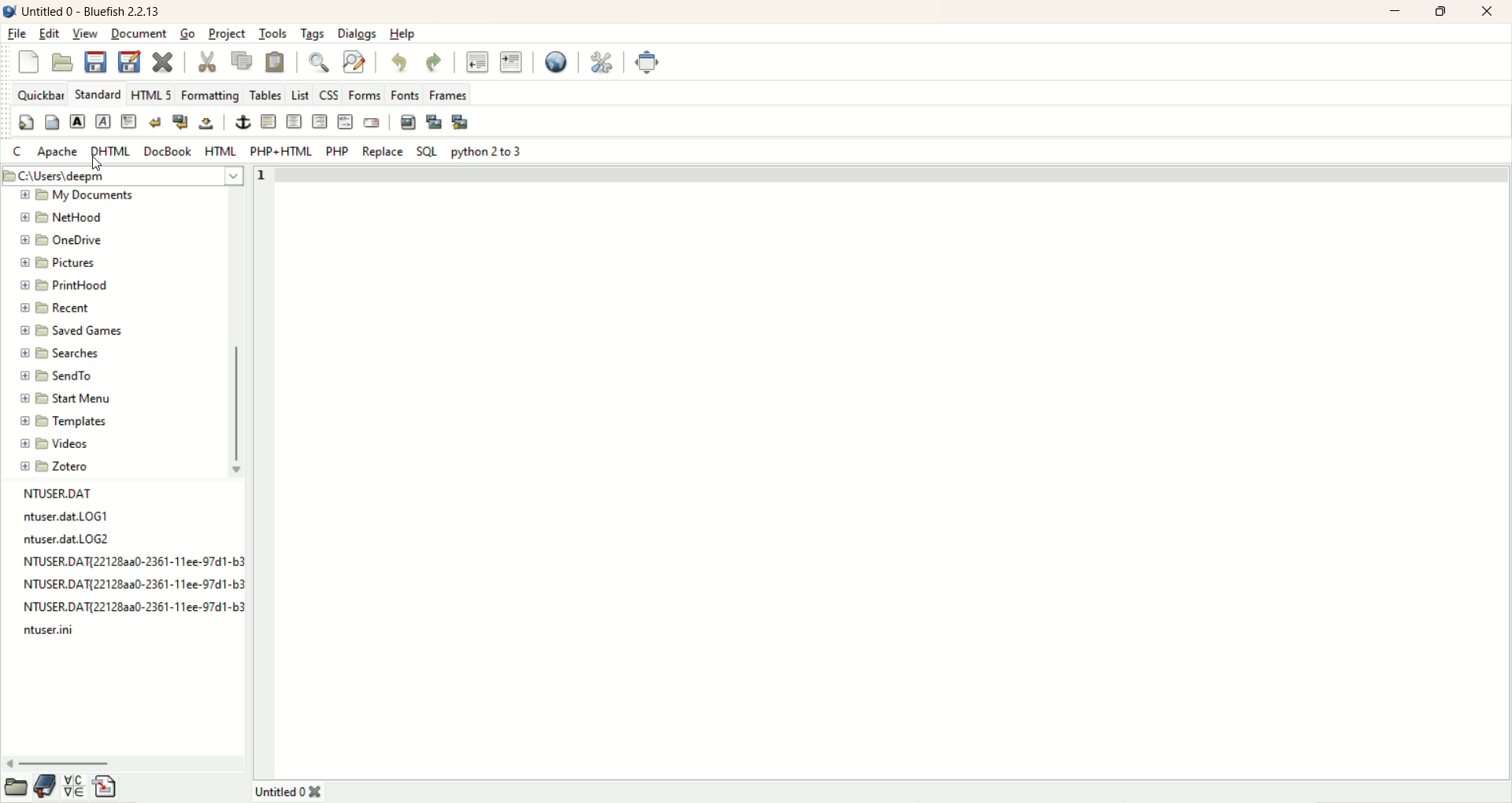  I want to click on HTML comment, so click(344, 122).